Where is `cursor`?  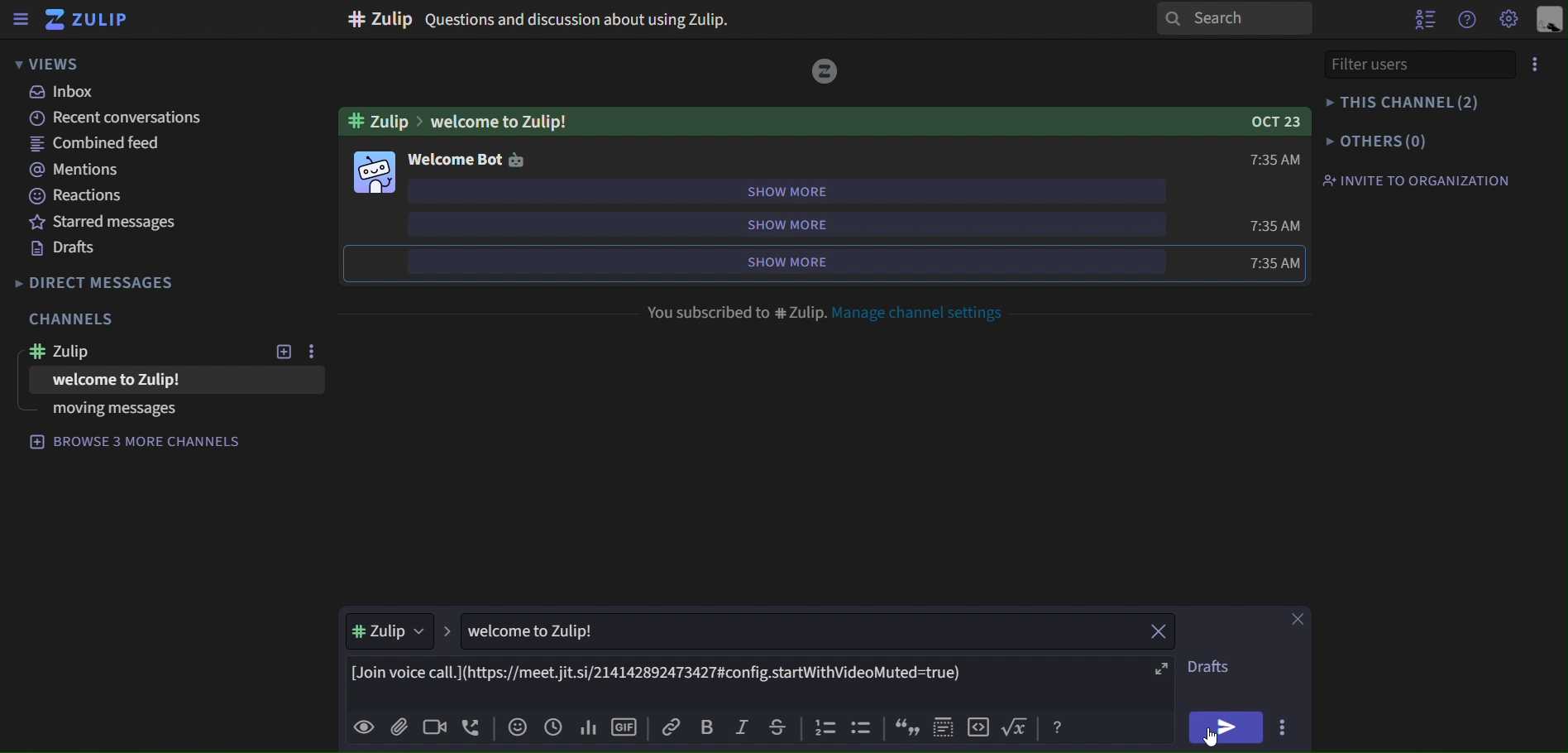
cursor is located at coordinates (1218, 737).